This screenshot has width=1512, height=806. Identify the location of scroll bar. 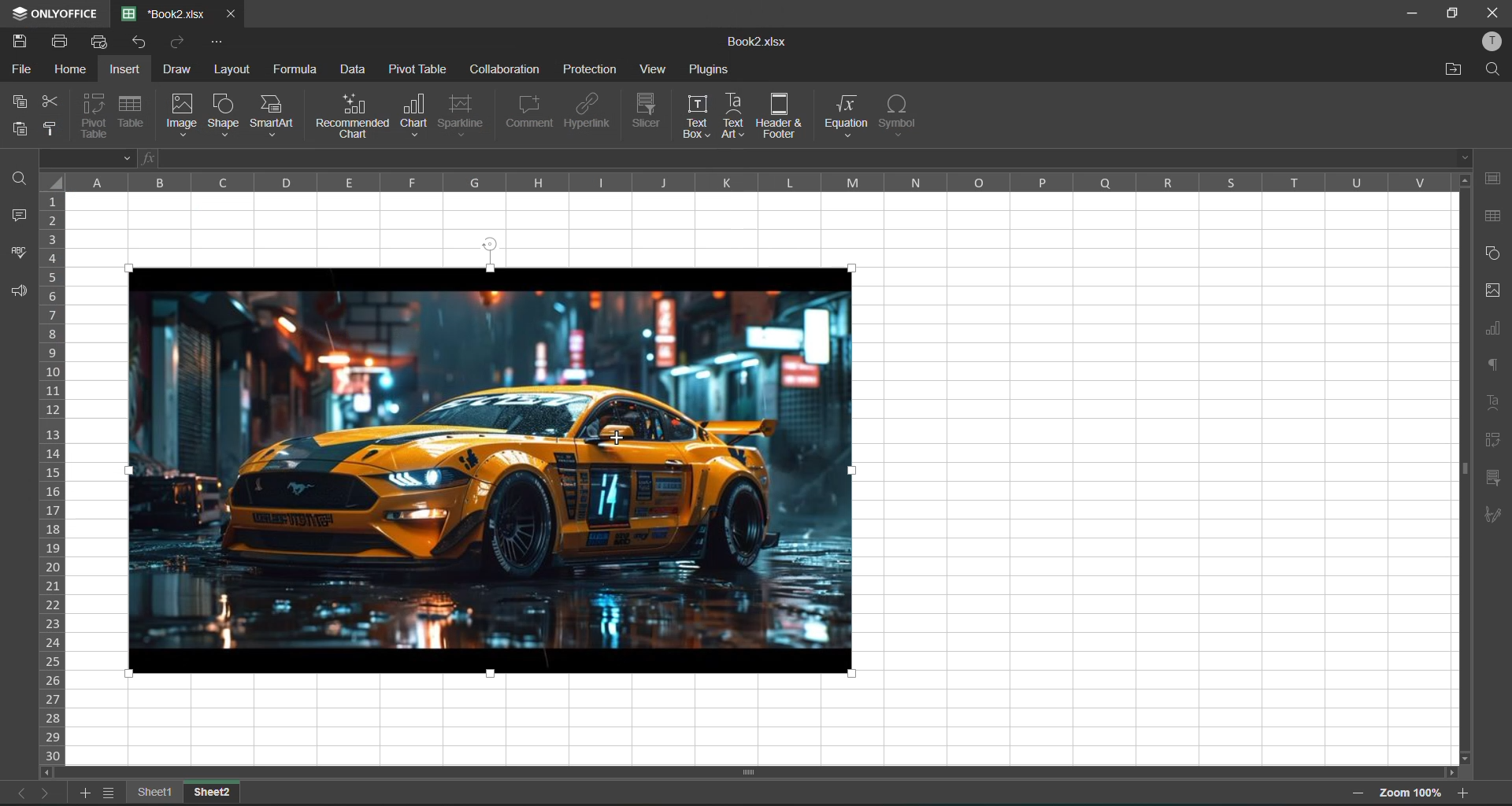
(734, 774).